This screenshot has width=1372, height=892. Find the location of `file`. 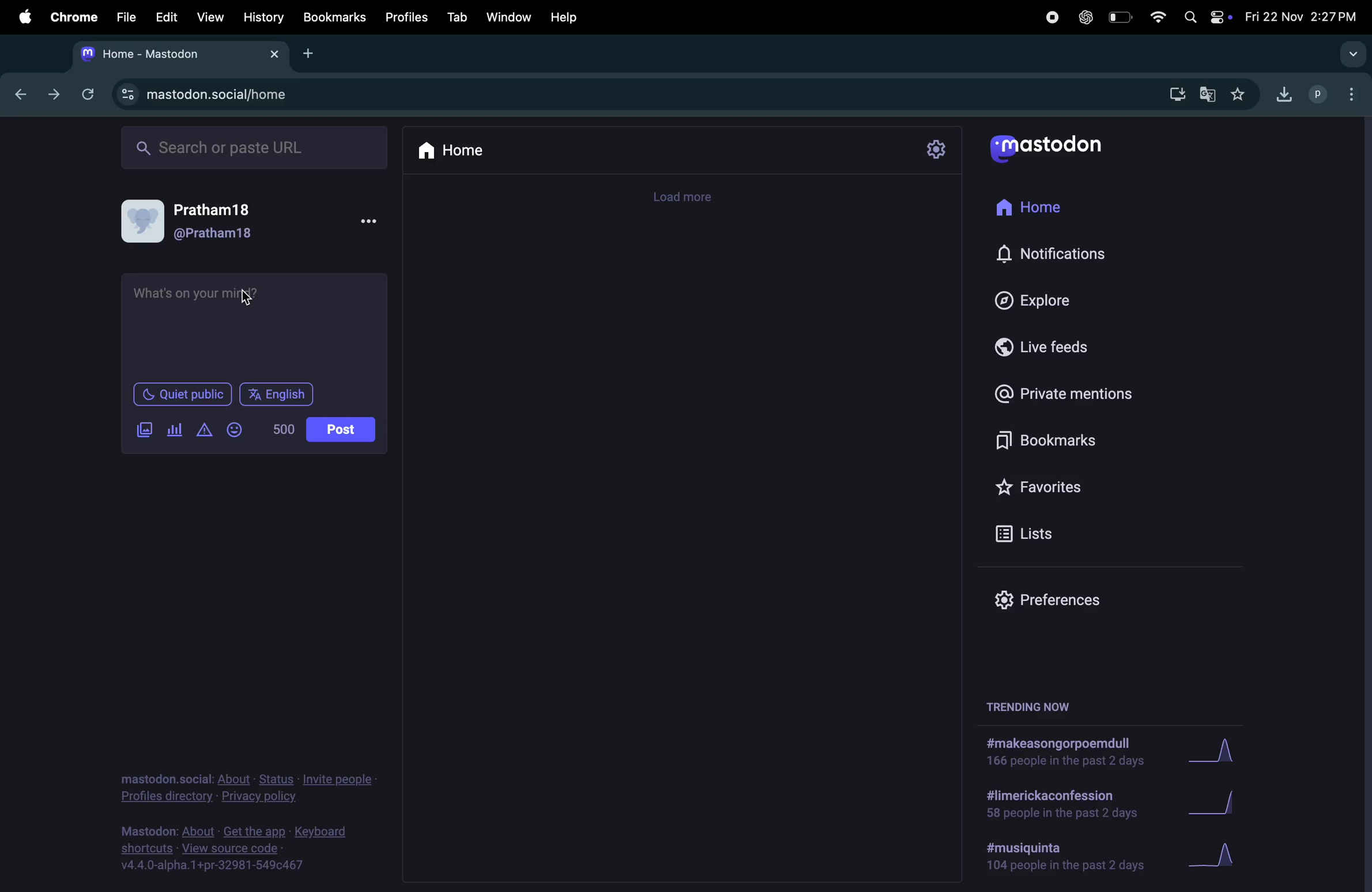

file is located at coordinates (127, 16).